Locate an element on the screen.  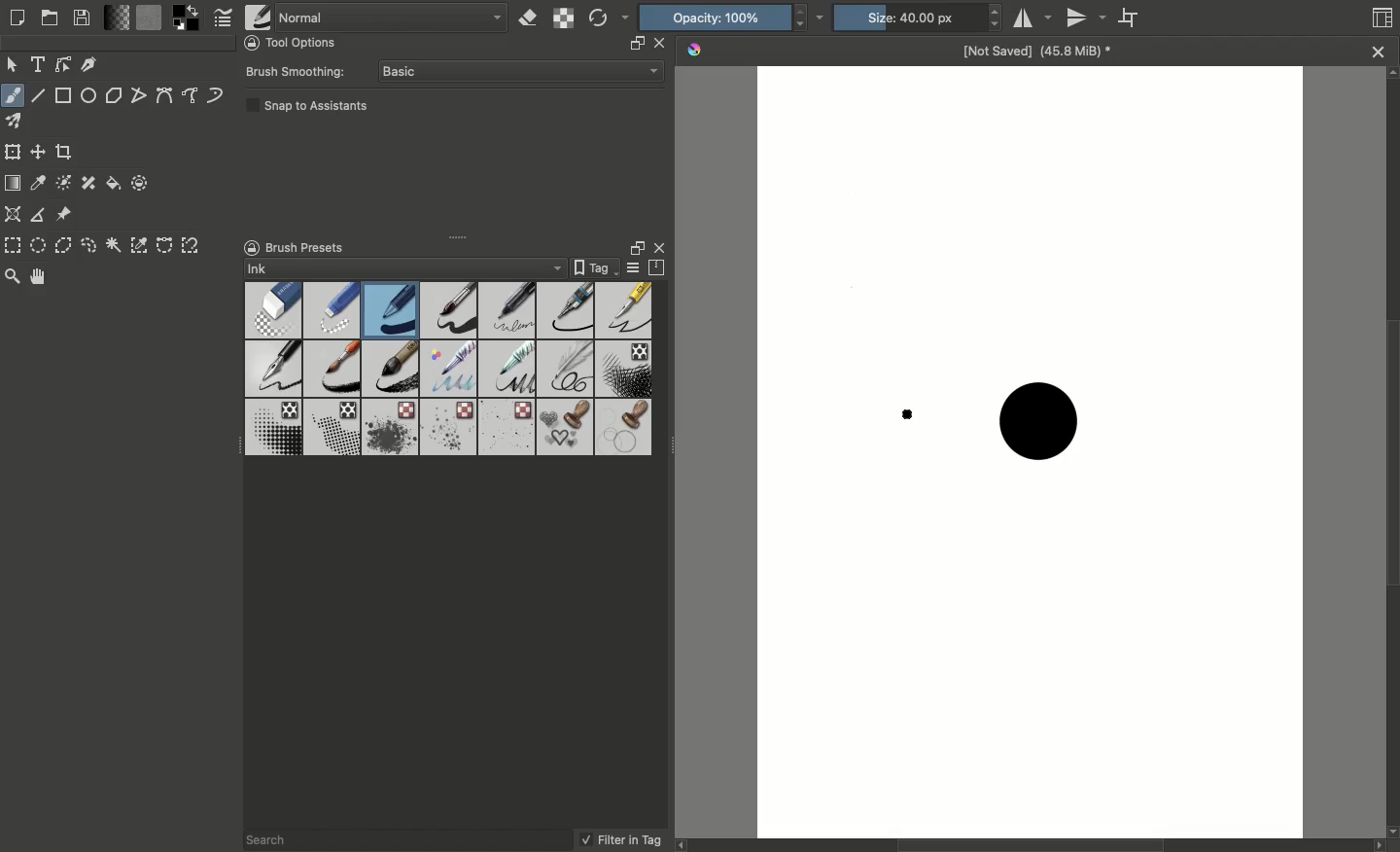
Wrap around mode is located at coordinates (1132, 17).